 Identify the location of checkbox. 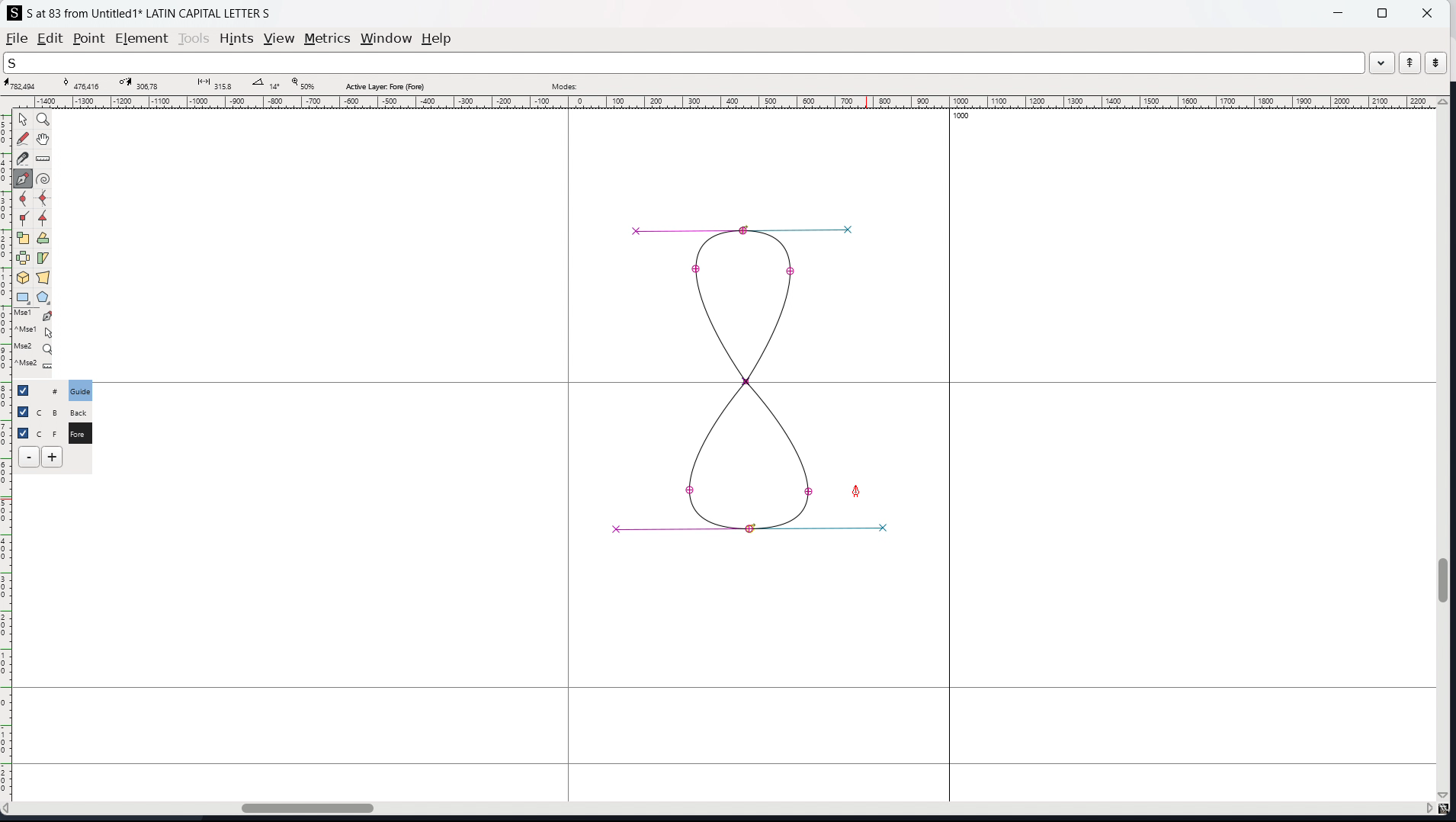
(22, 410).